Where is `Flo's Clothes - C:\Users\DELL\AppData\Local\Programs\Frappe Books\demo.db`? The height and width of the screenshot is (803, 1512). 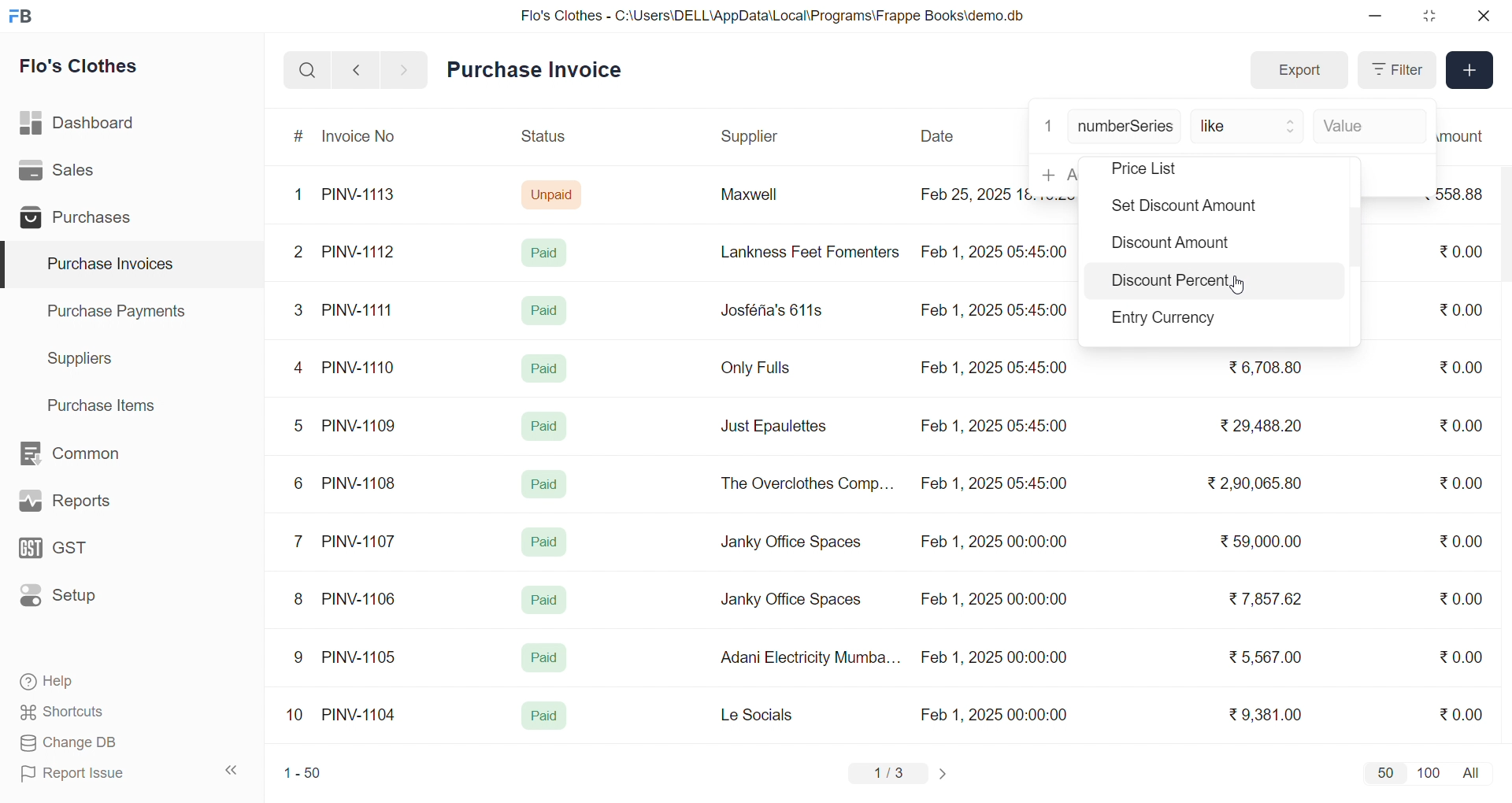 Flo's Clothes - C:\Users\DELL\AppData\Local\Programs\Frappe Books\demo.db is located at coordinates (773, 16).